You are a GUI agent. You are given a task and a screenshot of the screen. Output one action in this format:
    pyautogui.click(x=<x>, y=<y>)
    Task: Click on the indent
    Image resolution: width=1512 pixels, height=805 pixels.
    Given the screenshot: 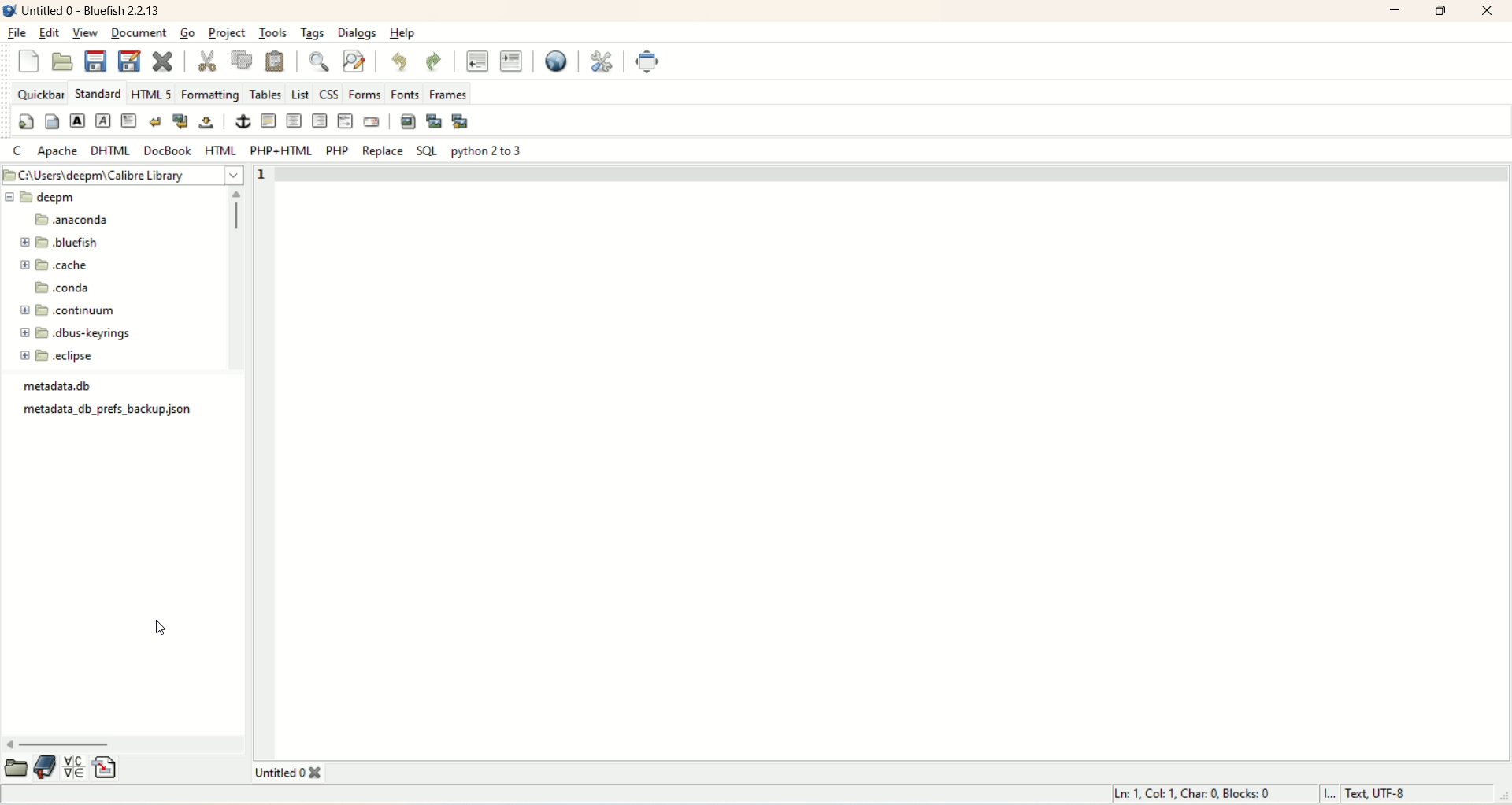 What is the action you would take?
    pyautogui.click(x=510, y=60)
    